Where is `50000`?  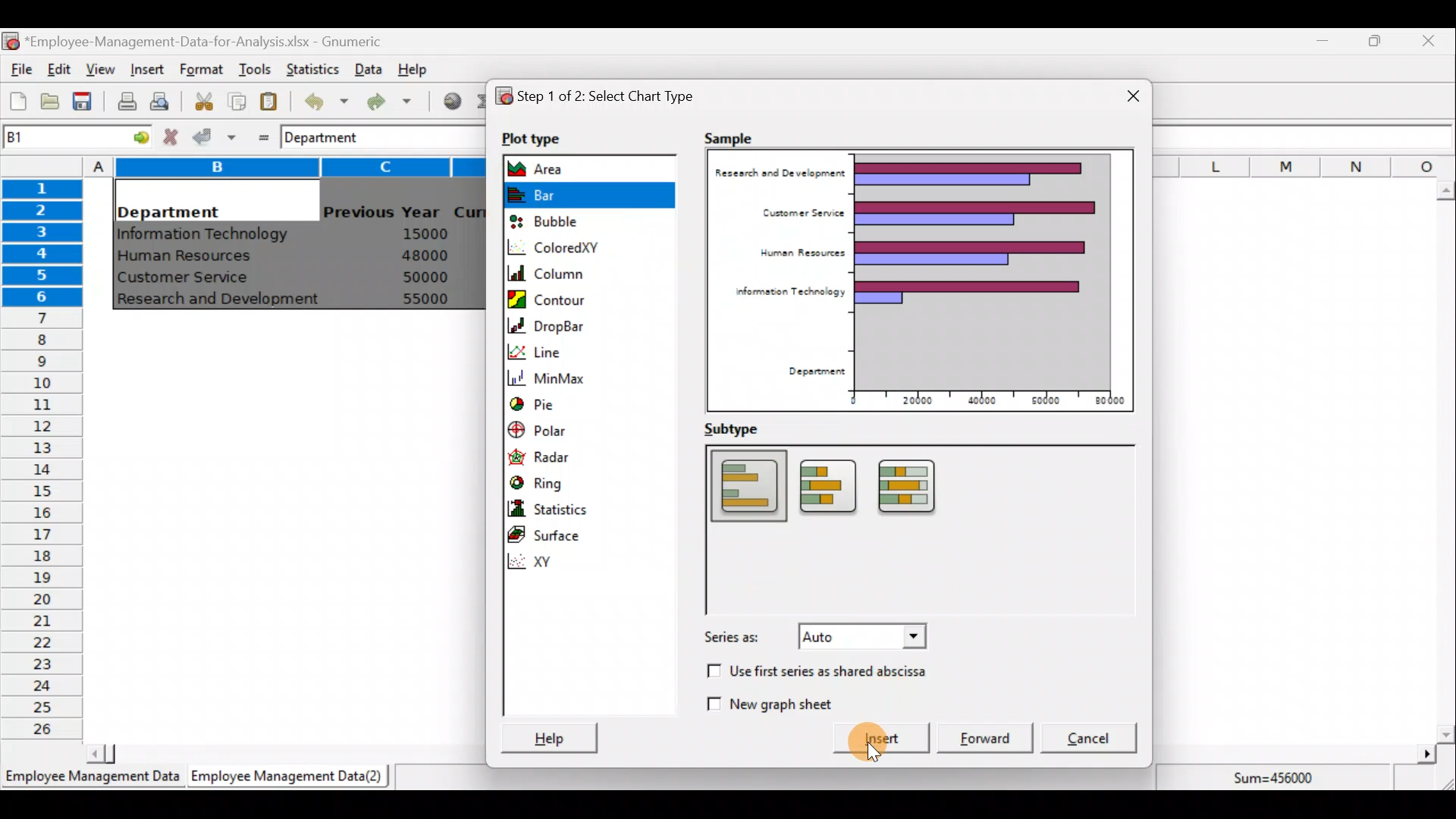
50000 is located at coordinates (429, 277).